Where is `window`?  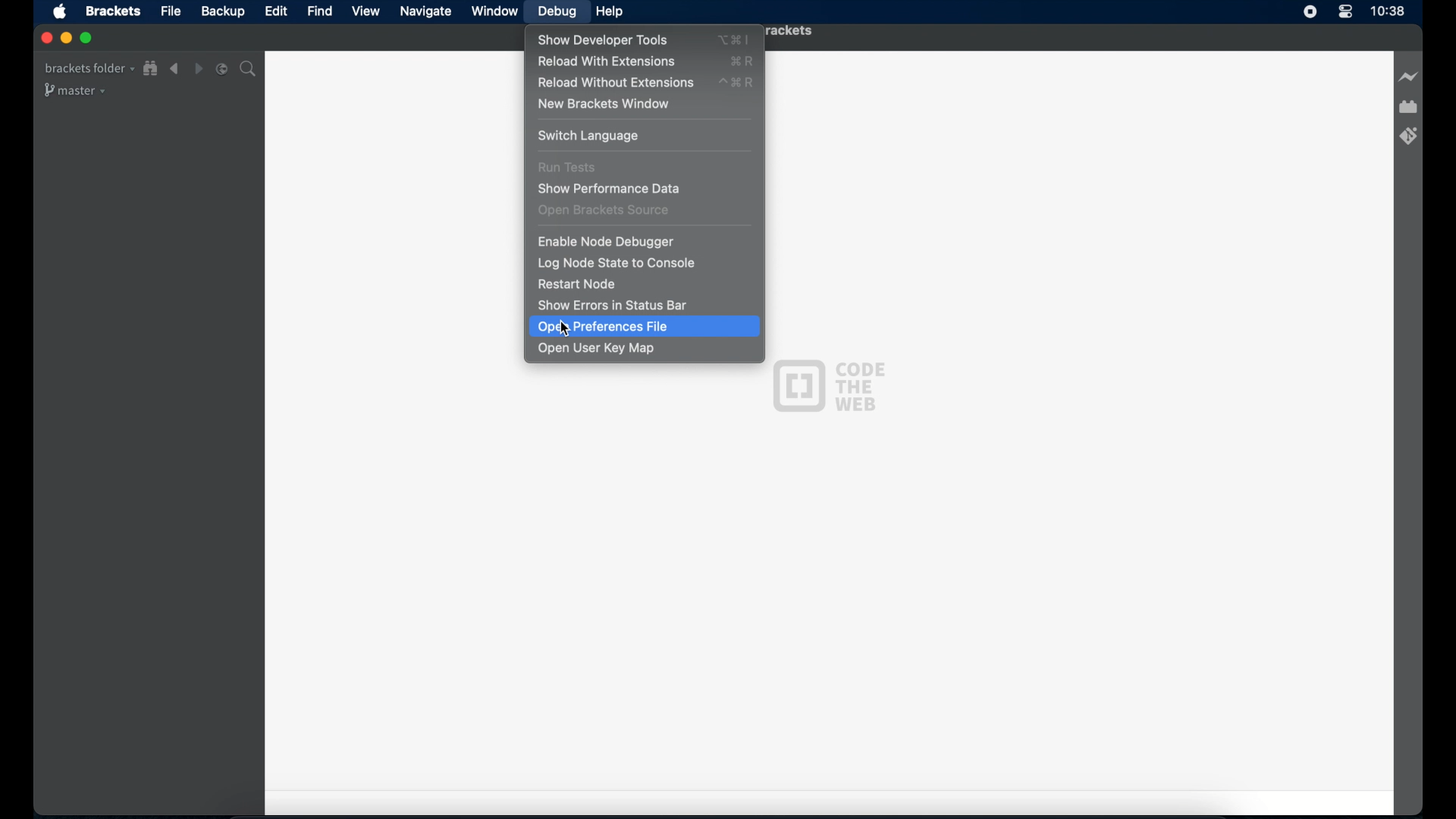
window is located at coordinates (495, 11).